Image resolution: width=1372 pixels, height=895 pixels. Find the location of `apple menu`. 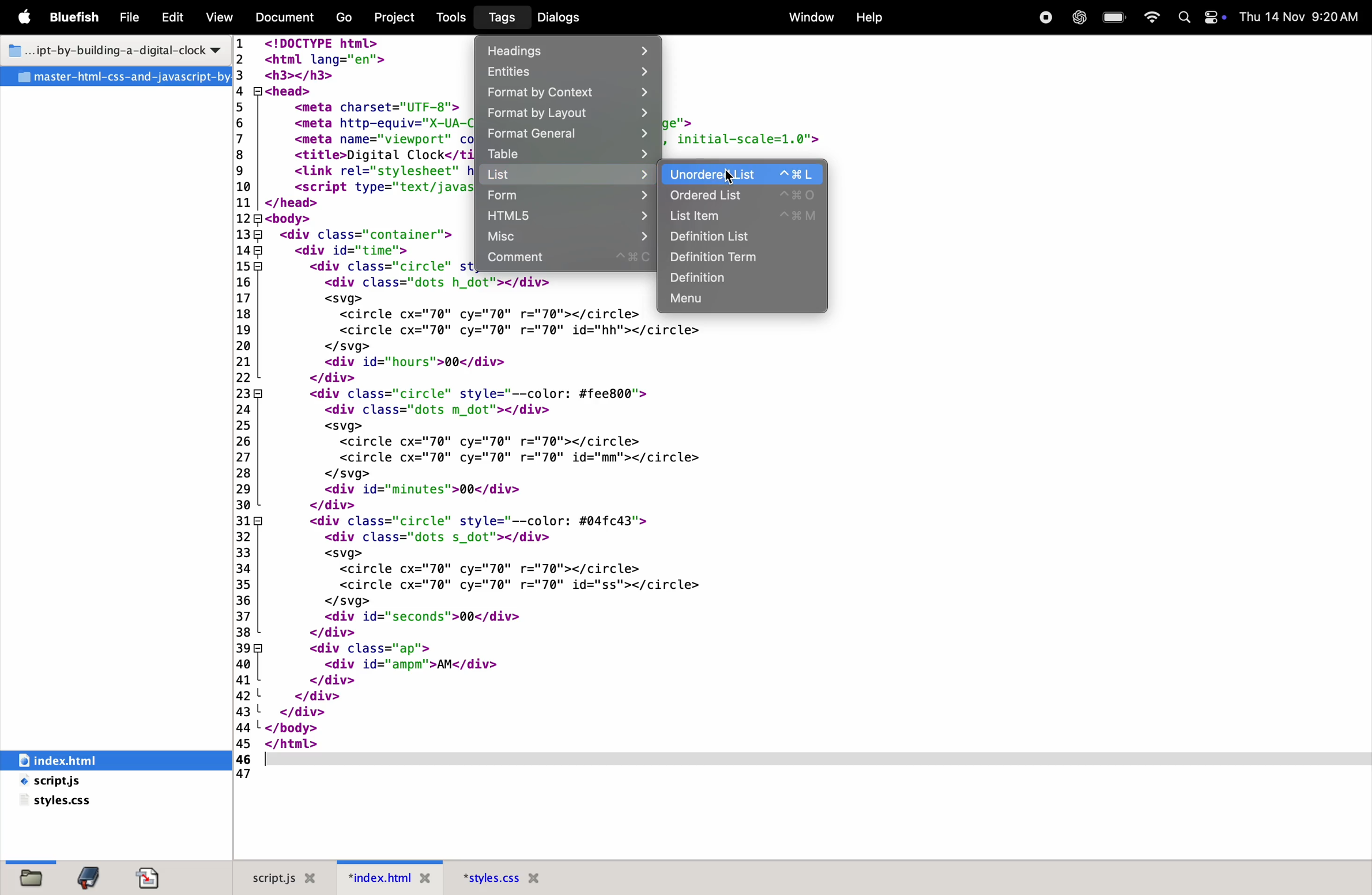

apple menu is located at coordinates (28, 18).